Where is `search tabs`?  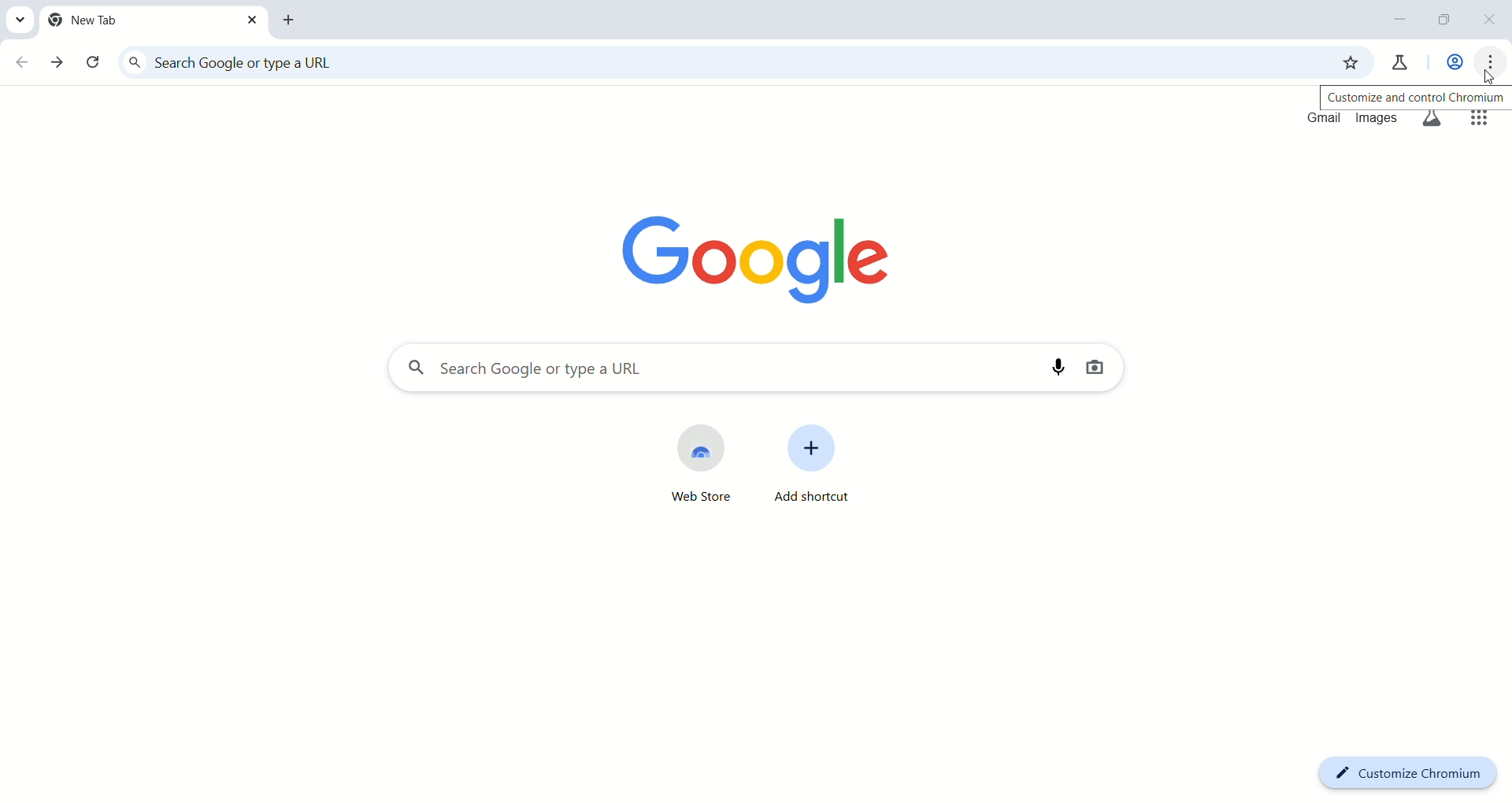
search tabs is located at coordinates (18, 19).